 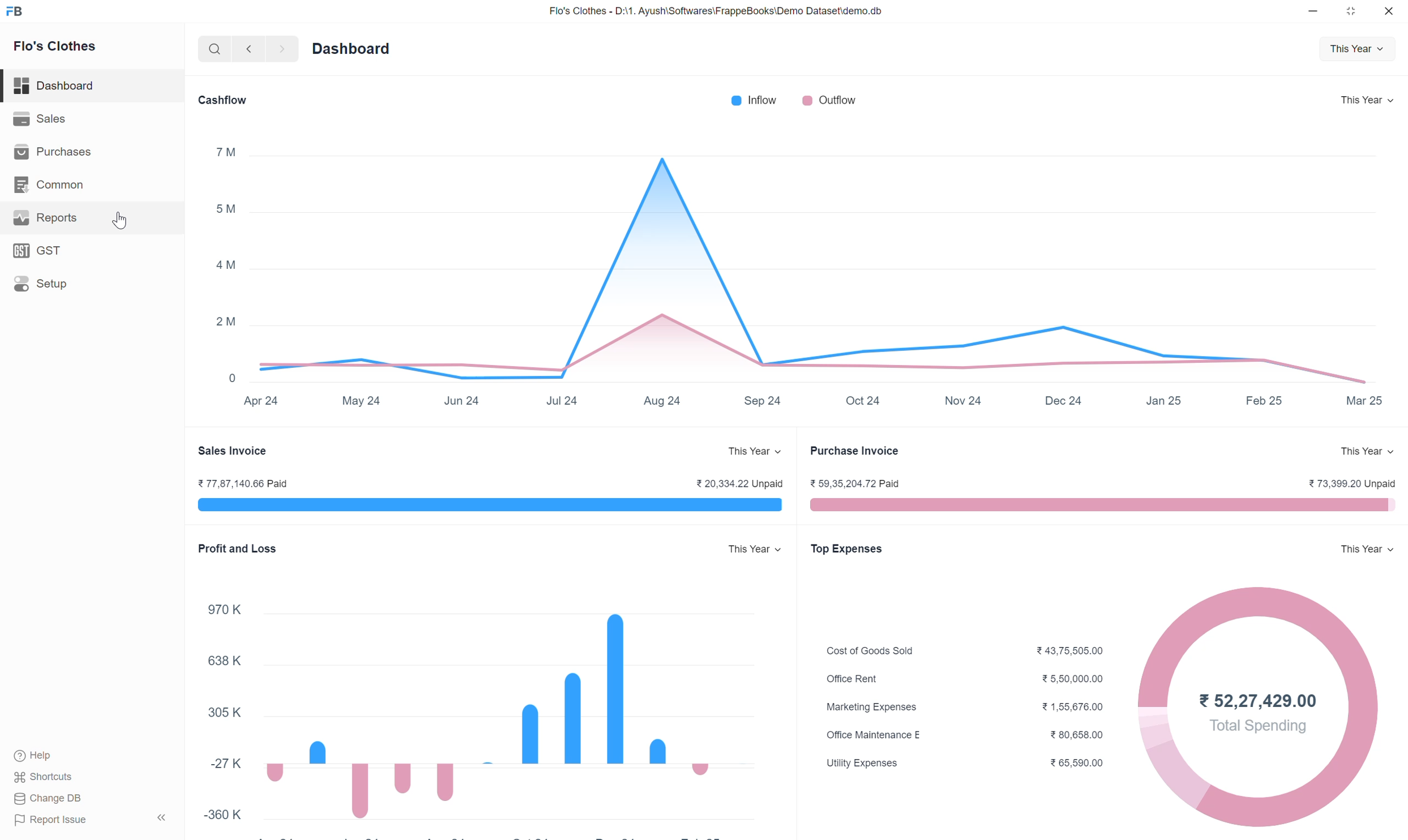 I want to click on Profit and Loss, so click(x=235, y=552).